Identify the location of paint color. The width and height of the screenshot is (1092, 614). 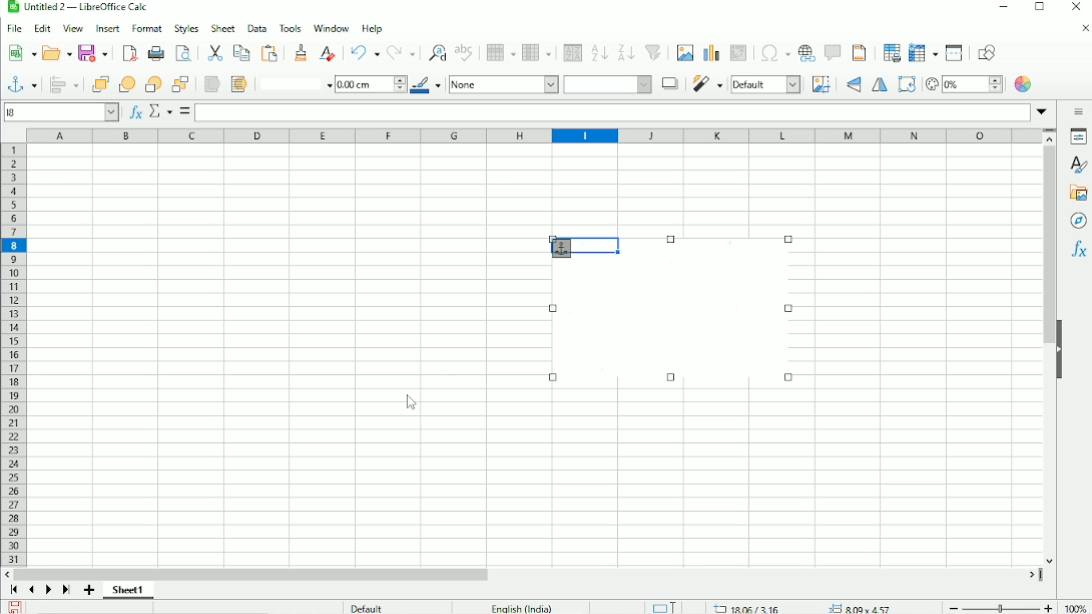
(426, 86).